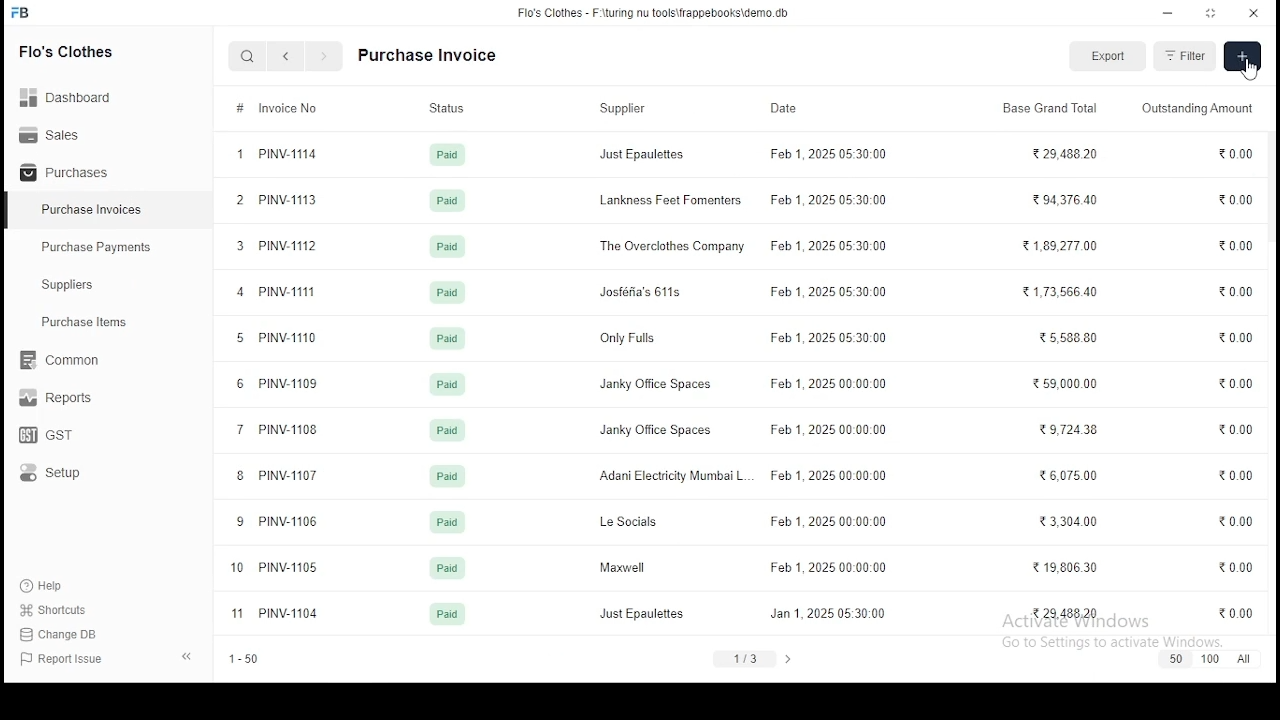 Image resolution: width=1280 pixels, height=720 pixels. Describe the element at coordinates (830, 520) in the screenshot. I see `feb 1, 2025 05:30:00` at that location.